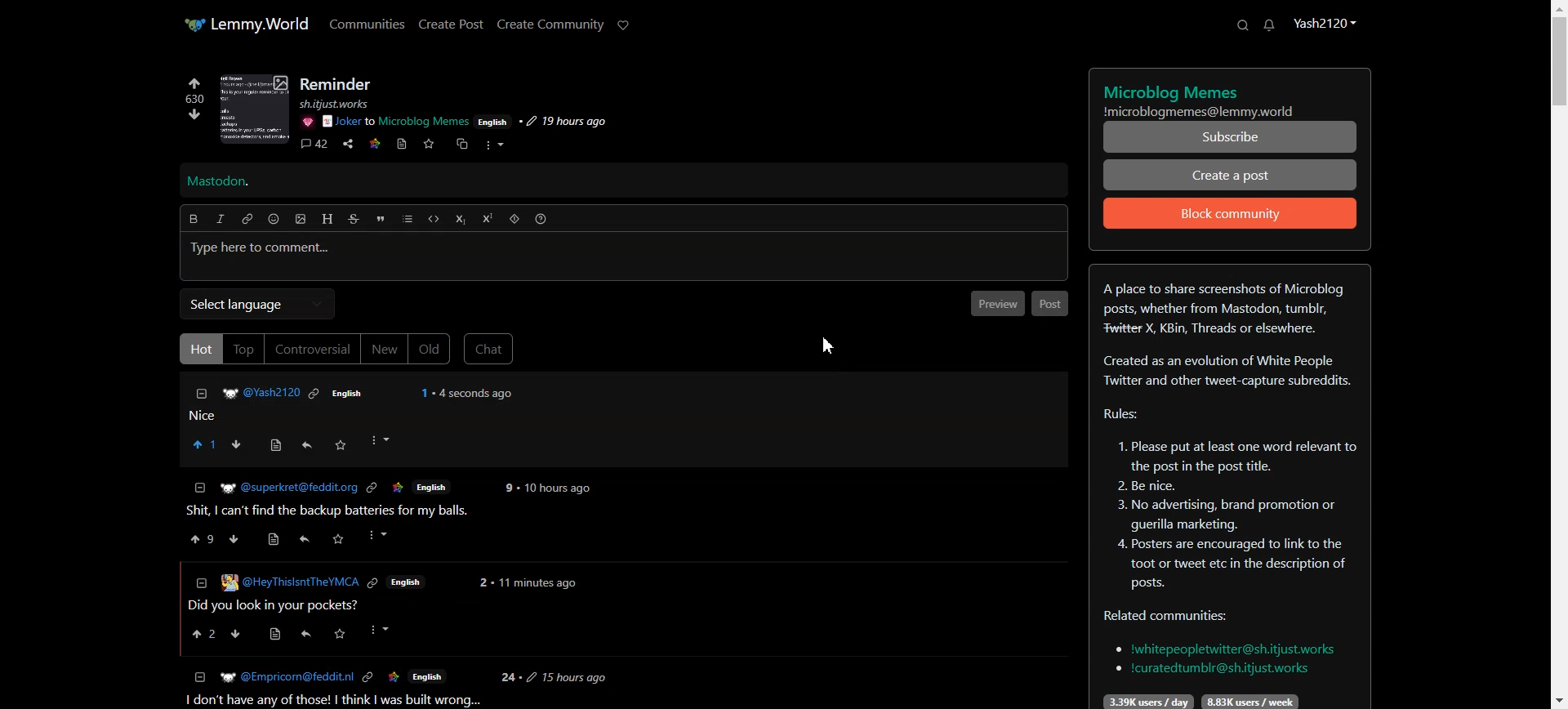 The image size is (1568, 709). I want to click on Home Page, so click(246, 24).